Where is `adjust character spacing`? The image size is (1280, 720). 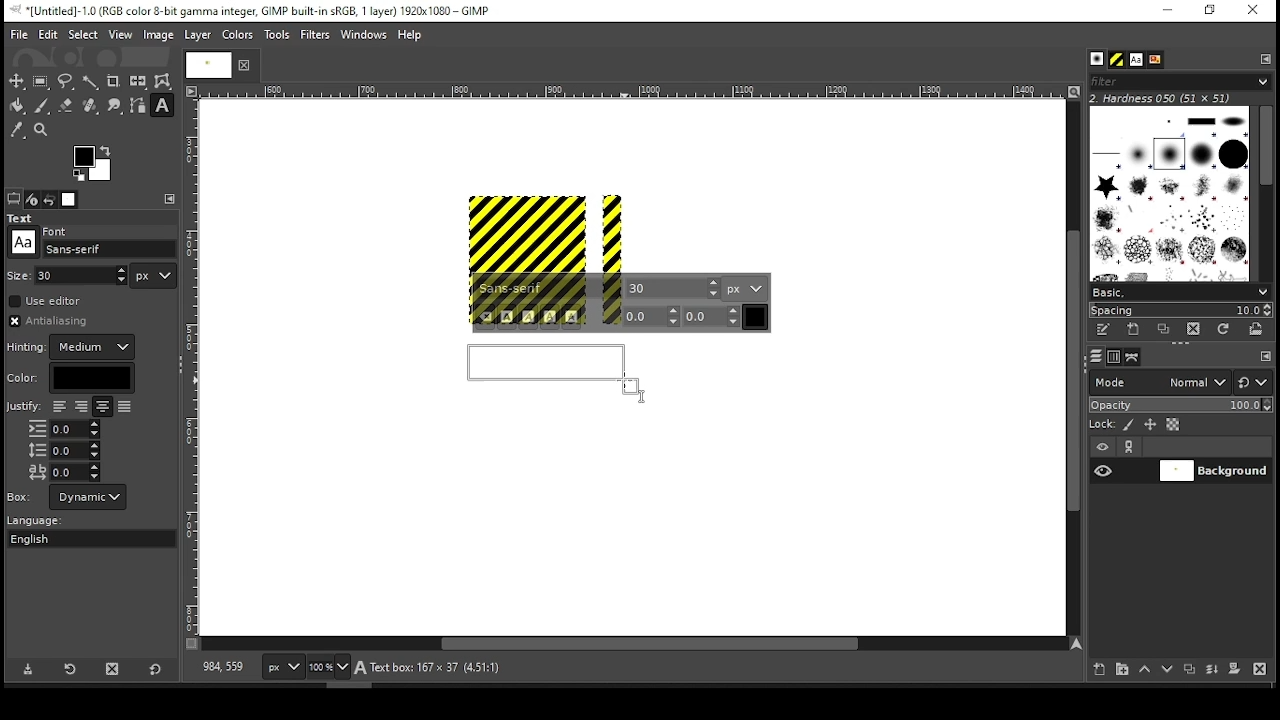 adjust character spacing is located at coordinates (63, 472).